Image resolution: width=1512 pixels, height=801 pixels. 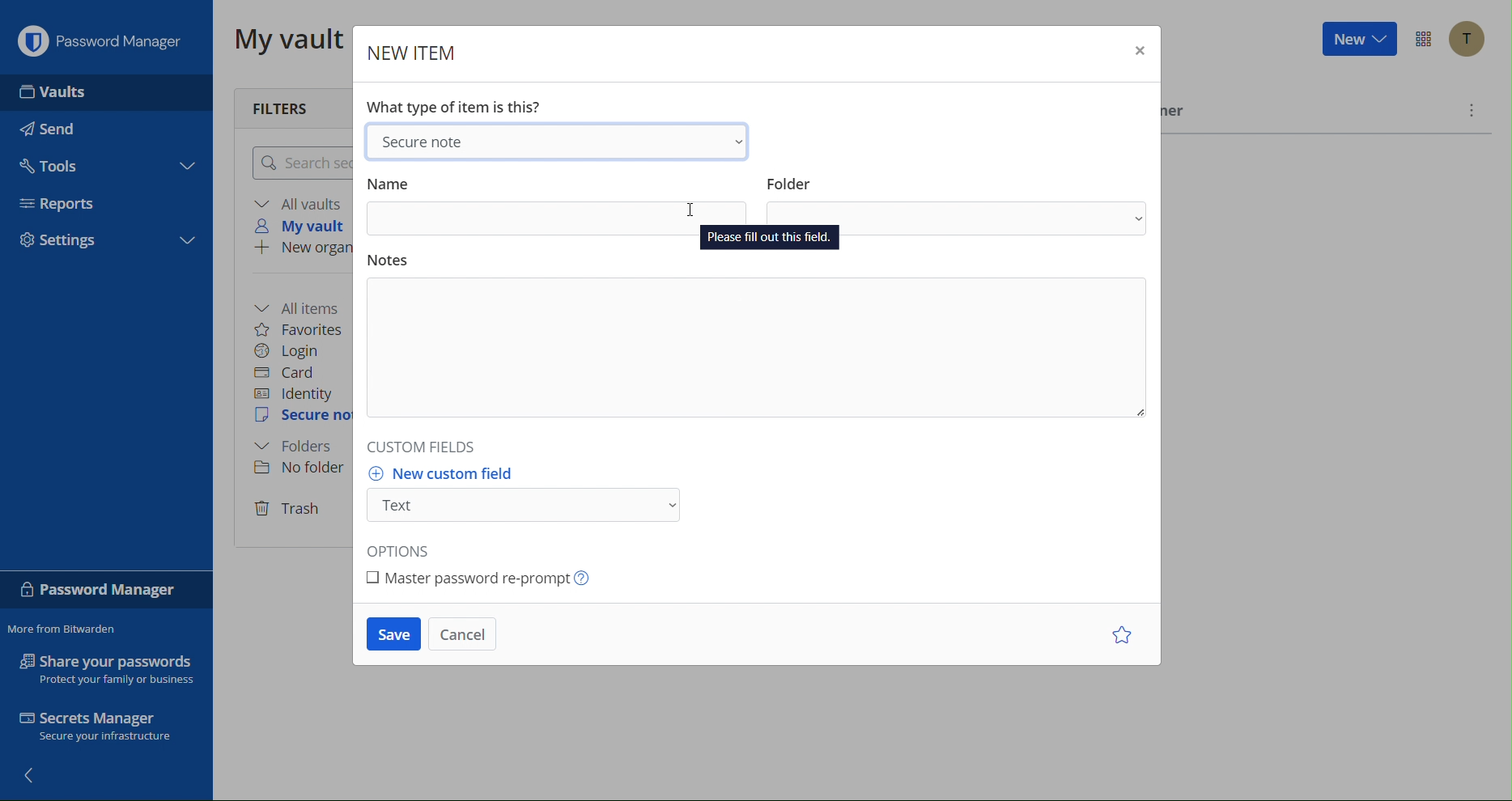 What do you see at coordinates (298, 469) in the screenshot?
I see `No folder` at bounding box center [298, 469].